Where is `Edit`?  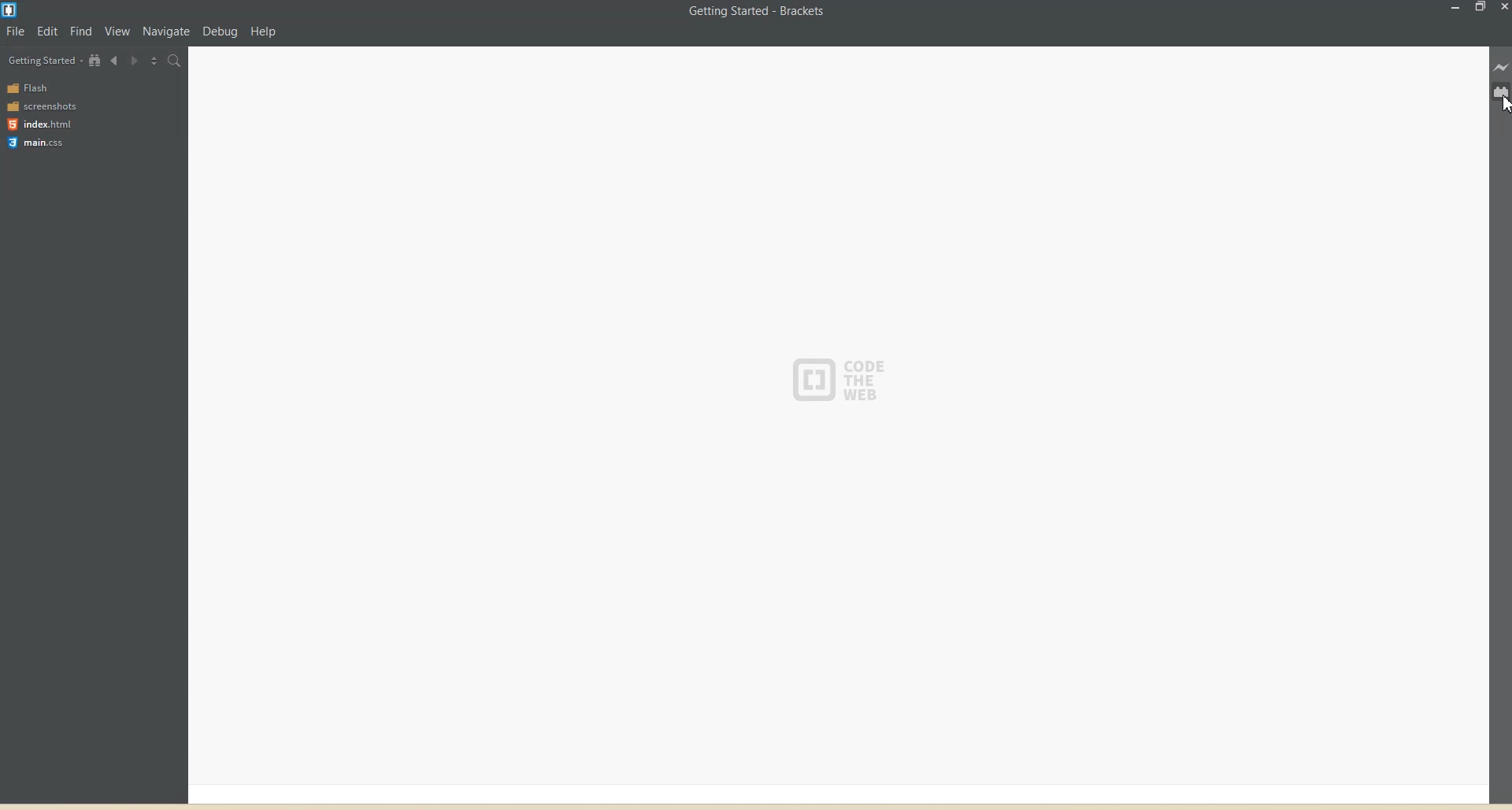
Edit is located at coordinates (48, 31).